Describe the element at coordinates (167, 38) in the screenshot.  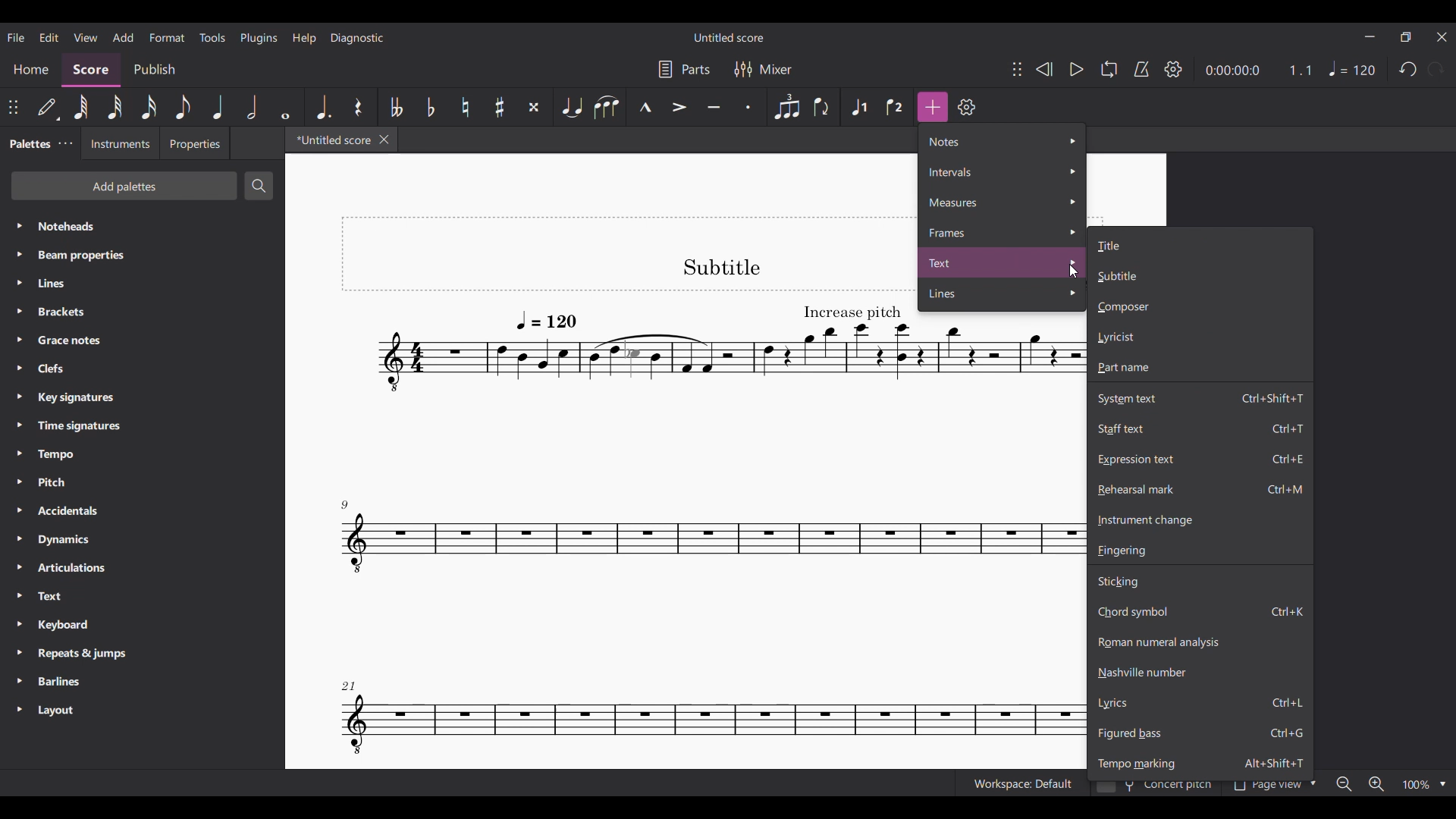
I see `Format menu` at that location.